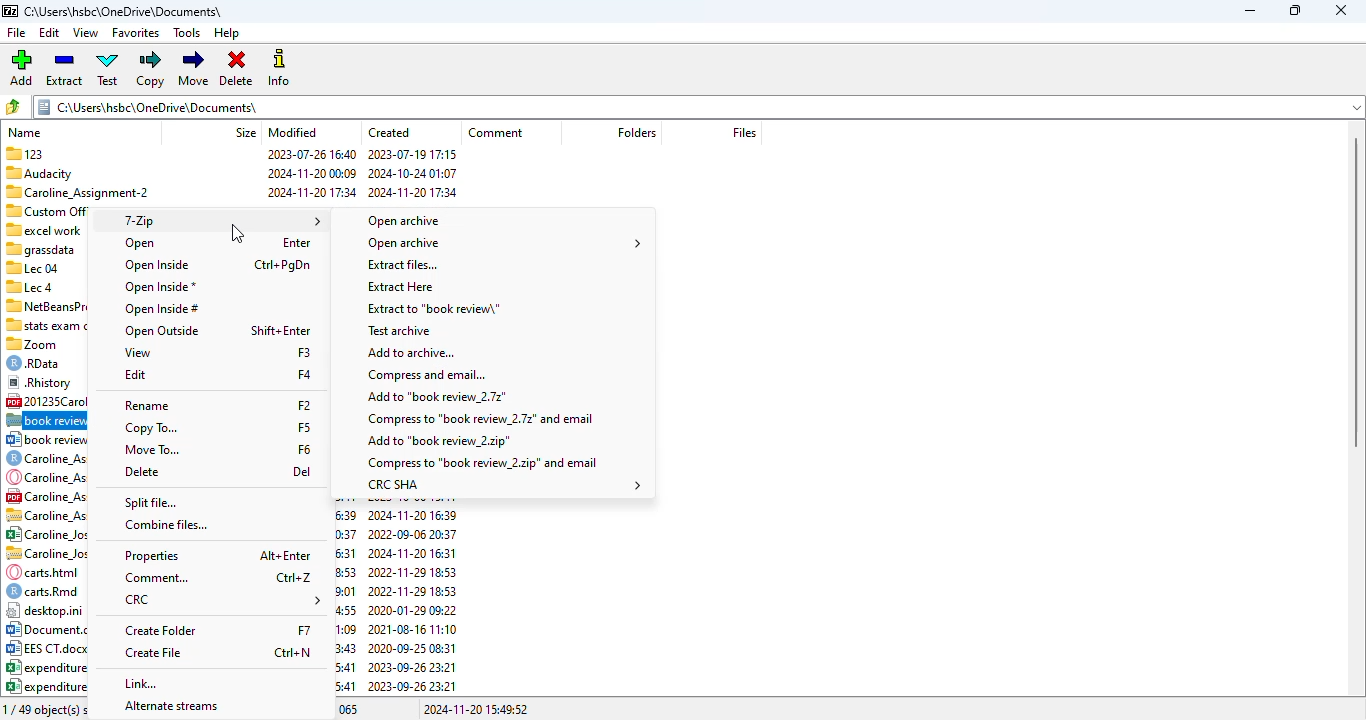 This screenshot has width=1366, height=720. I want to click on shortcut for create file, so click(294, 652).